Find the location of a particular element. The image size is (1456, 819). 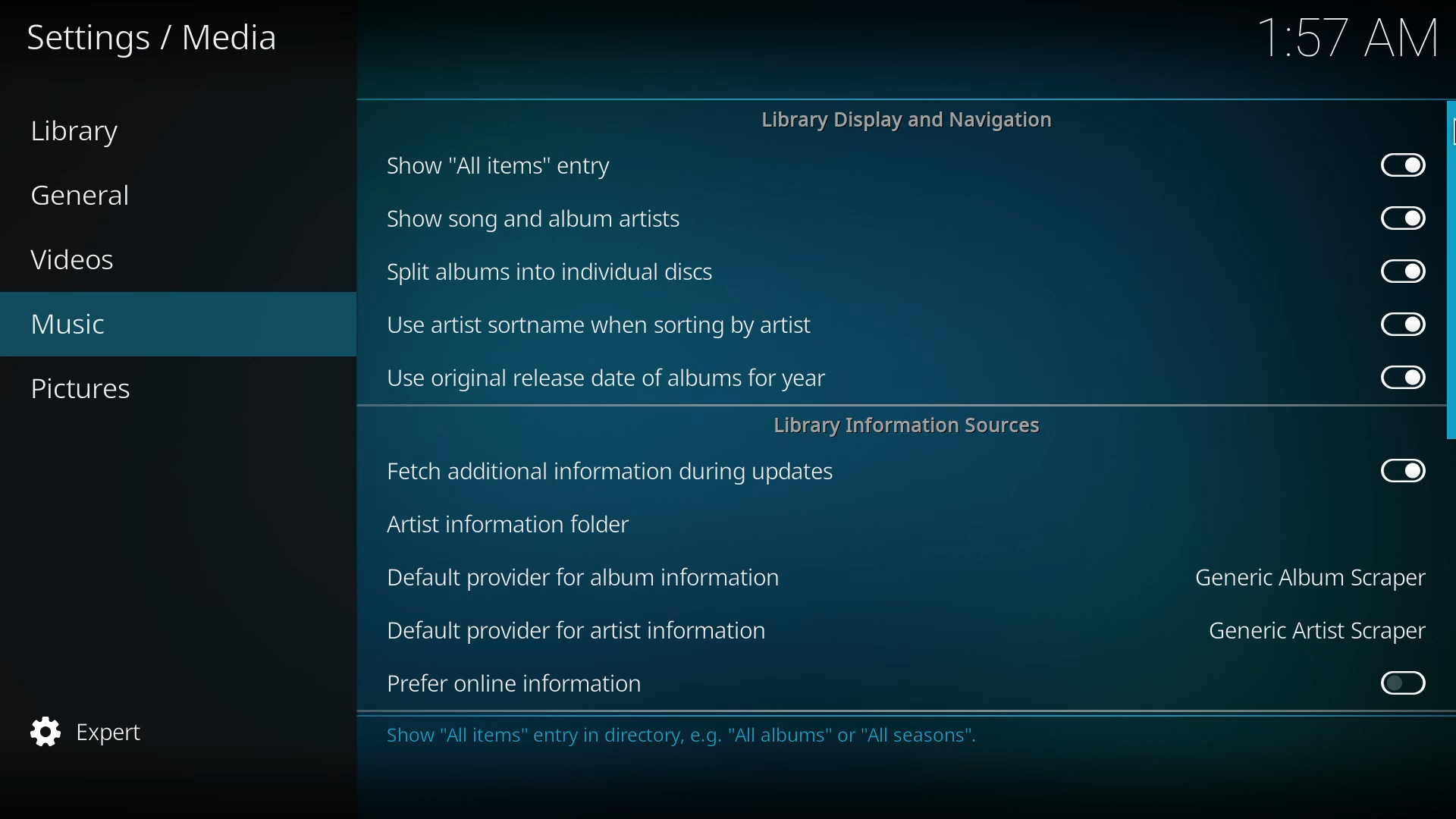

enabled is located at coordinates (1397, 323).